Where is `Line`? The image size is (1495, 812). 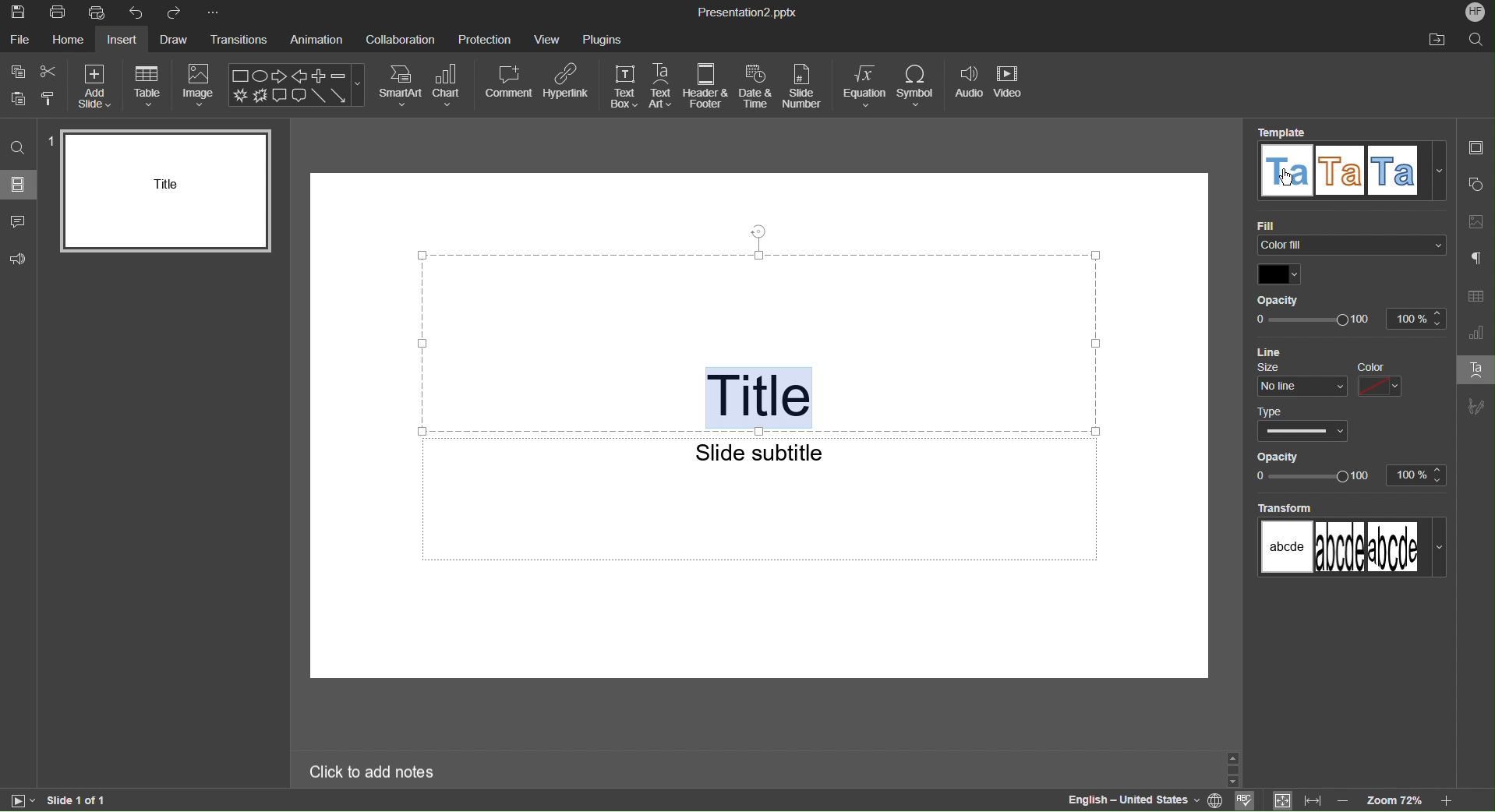 Line is located at coordinates (1286, 349).